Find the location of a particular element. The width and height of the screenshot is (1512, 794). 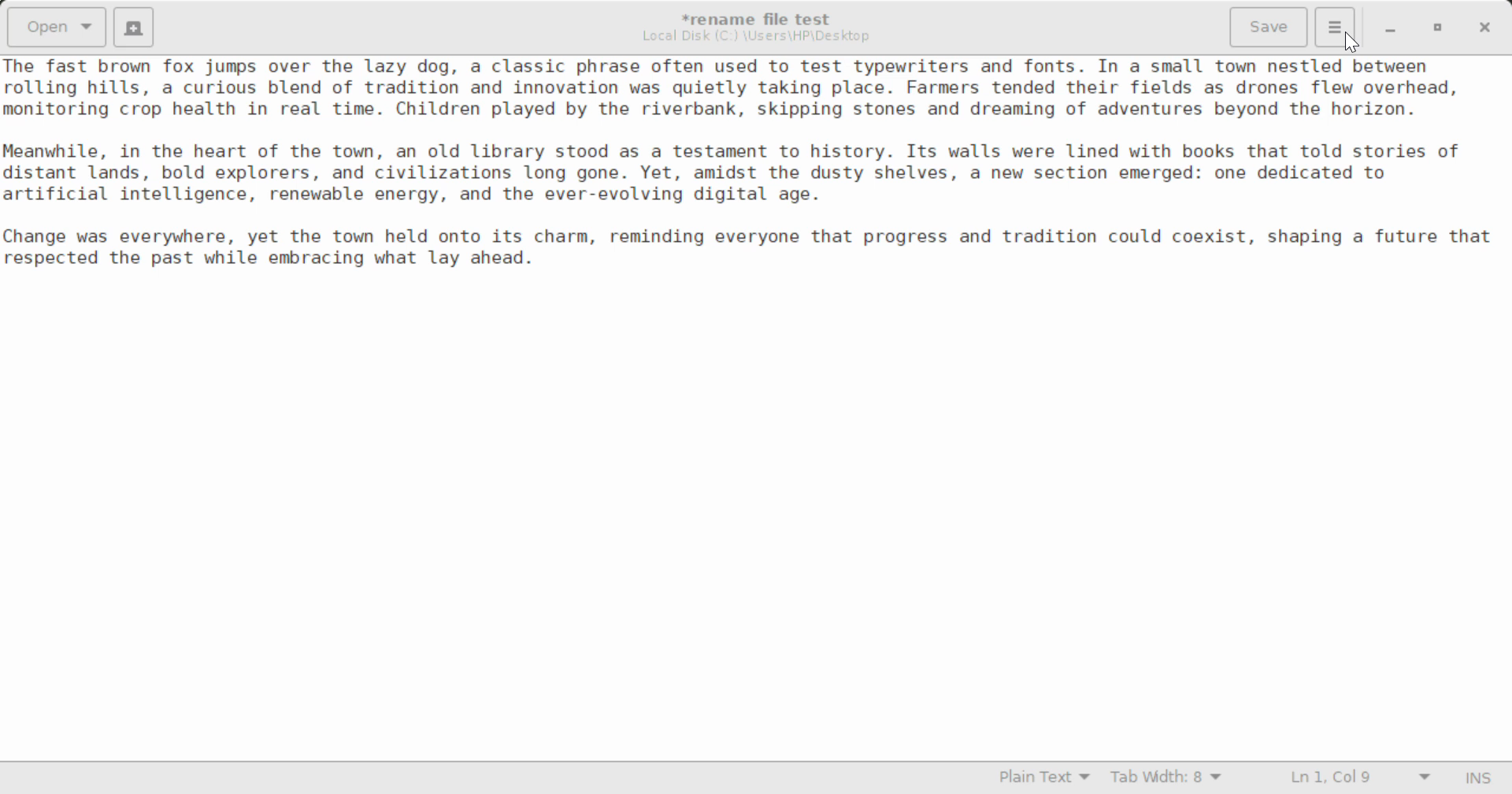

Line and Character Count is located at coordinates (1357, 779).